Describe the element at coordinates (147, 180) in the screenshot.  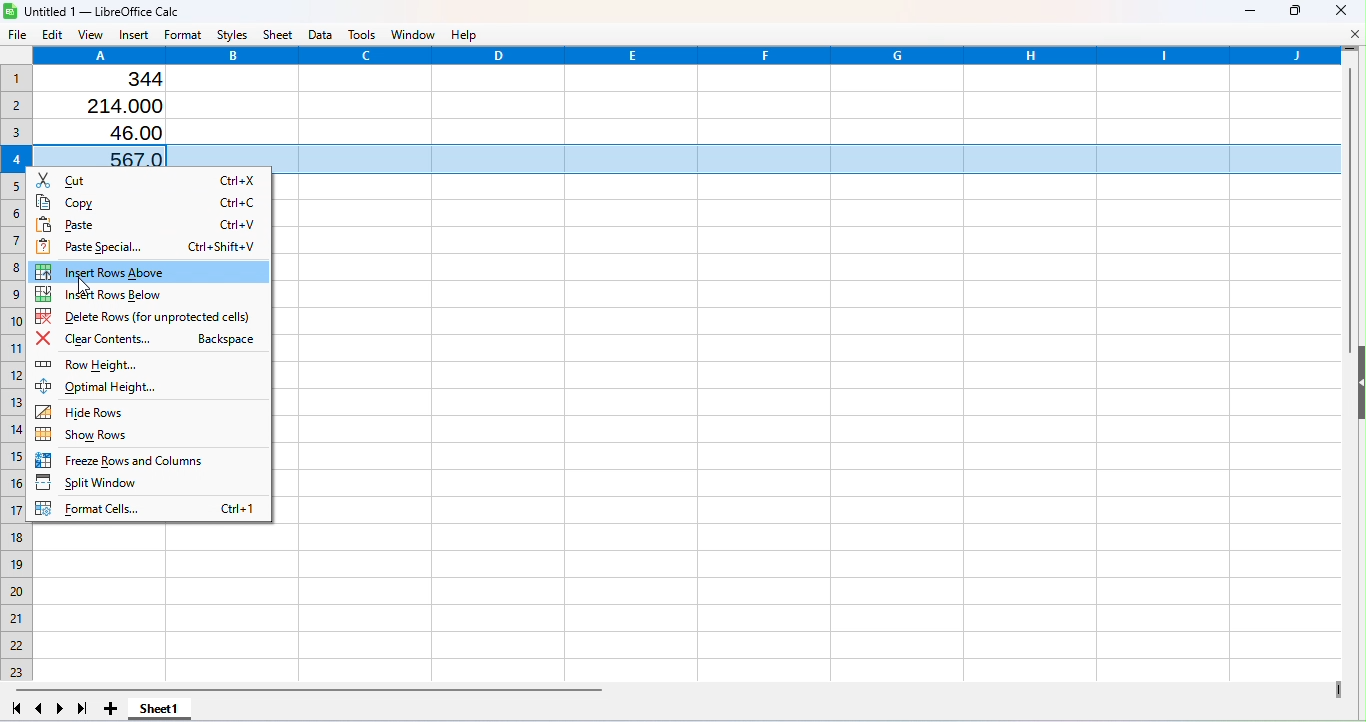
I see `Cut   Ctrl+X` at that location.